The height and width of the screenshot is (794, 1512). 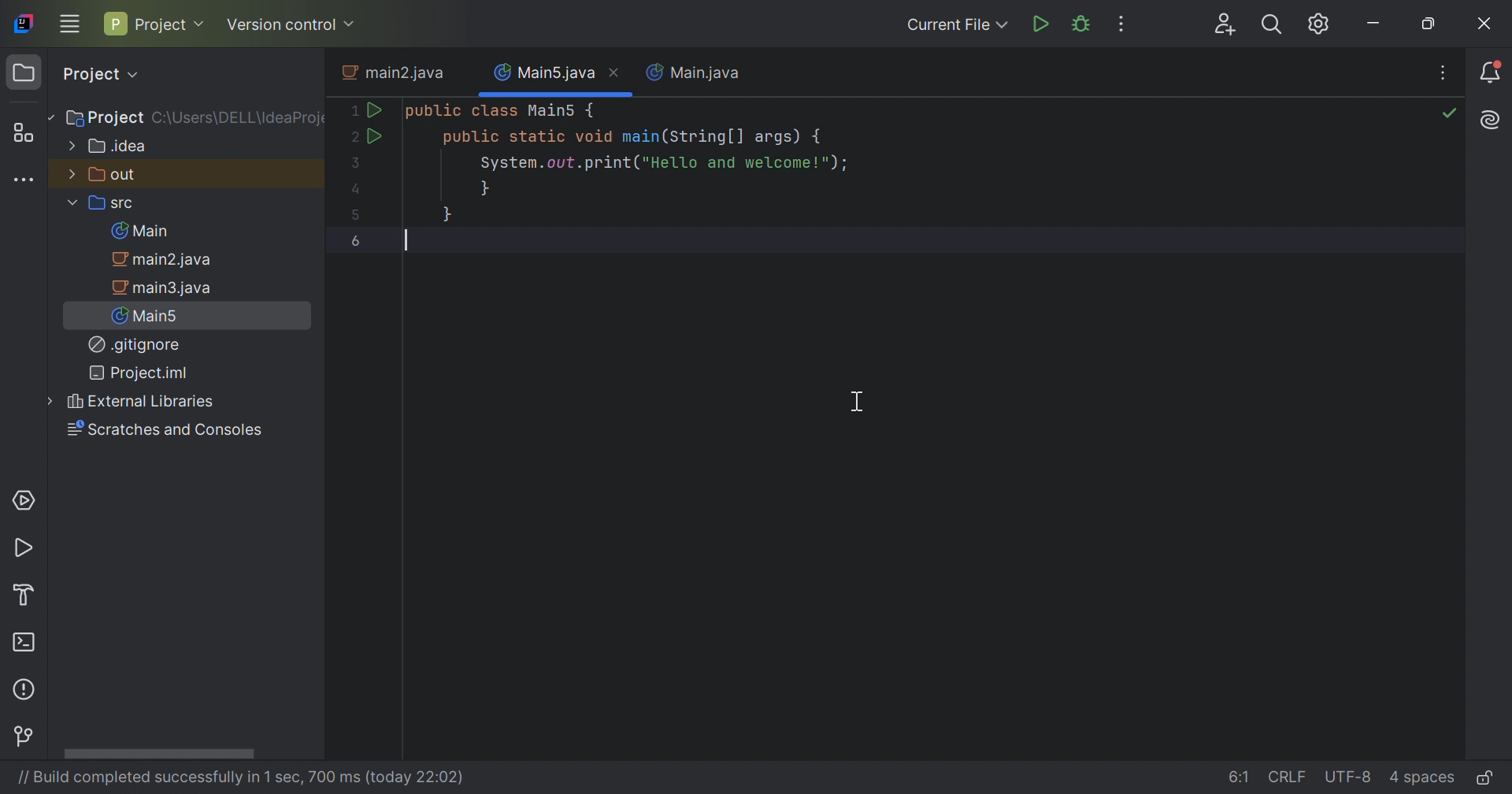 I want to click on Recent Files, Tab Actions, and More, so click(x=1442, y=75).